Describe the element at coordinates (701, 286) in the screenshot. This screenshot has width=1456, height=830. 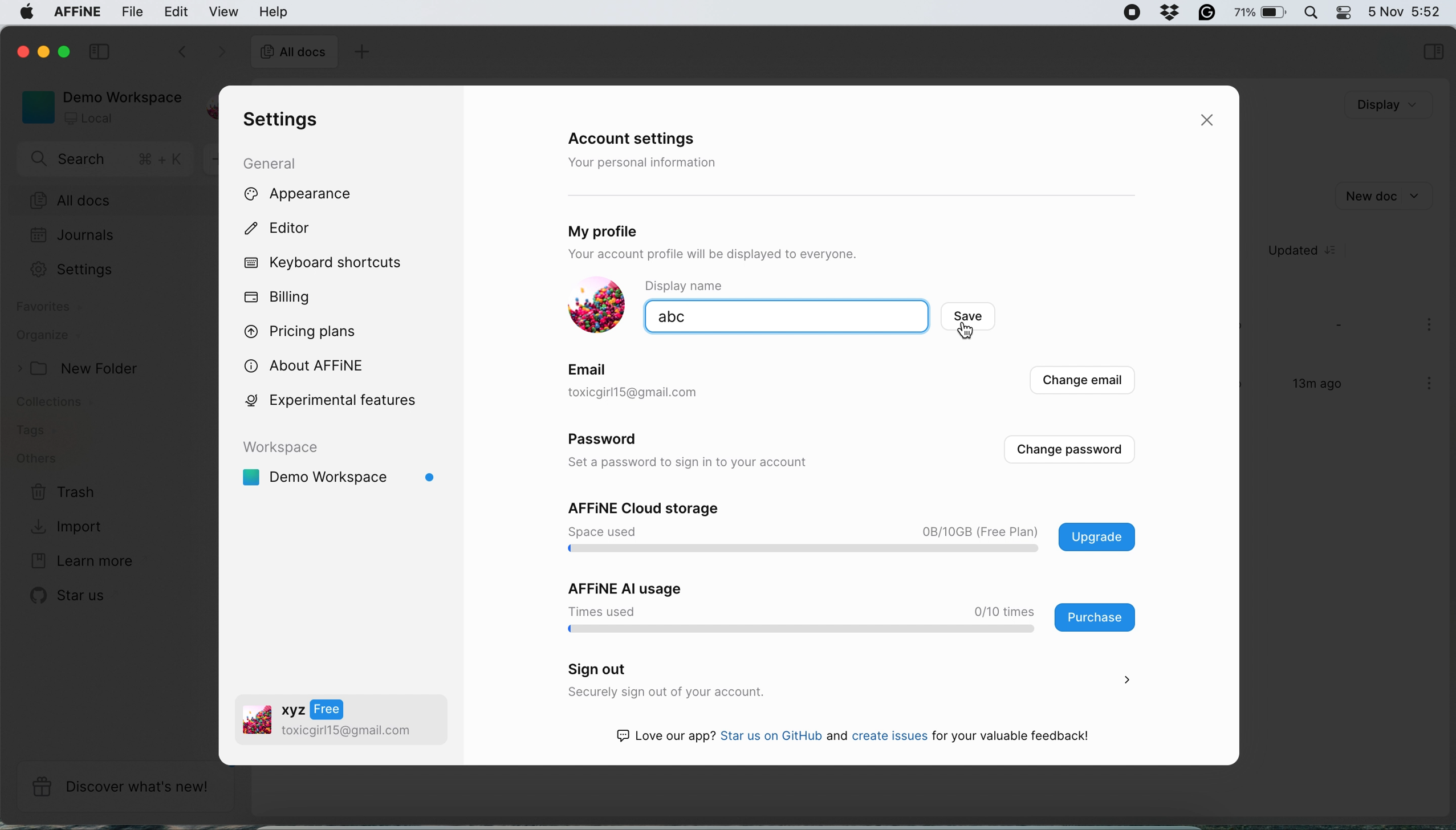
I see `display name` at that location.